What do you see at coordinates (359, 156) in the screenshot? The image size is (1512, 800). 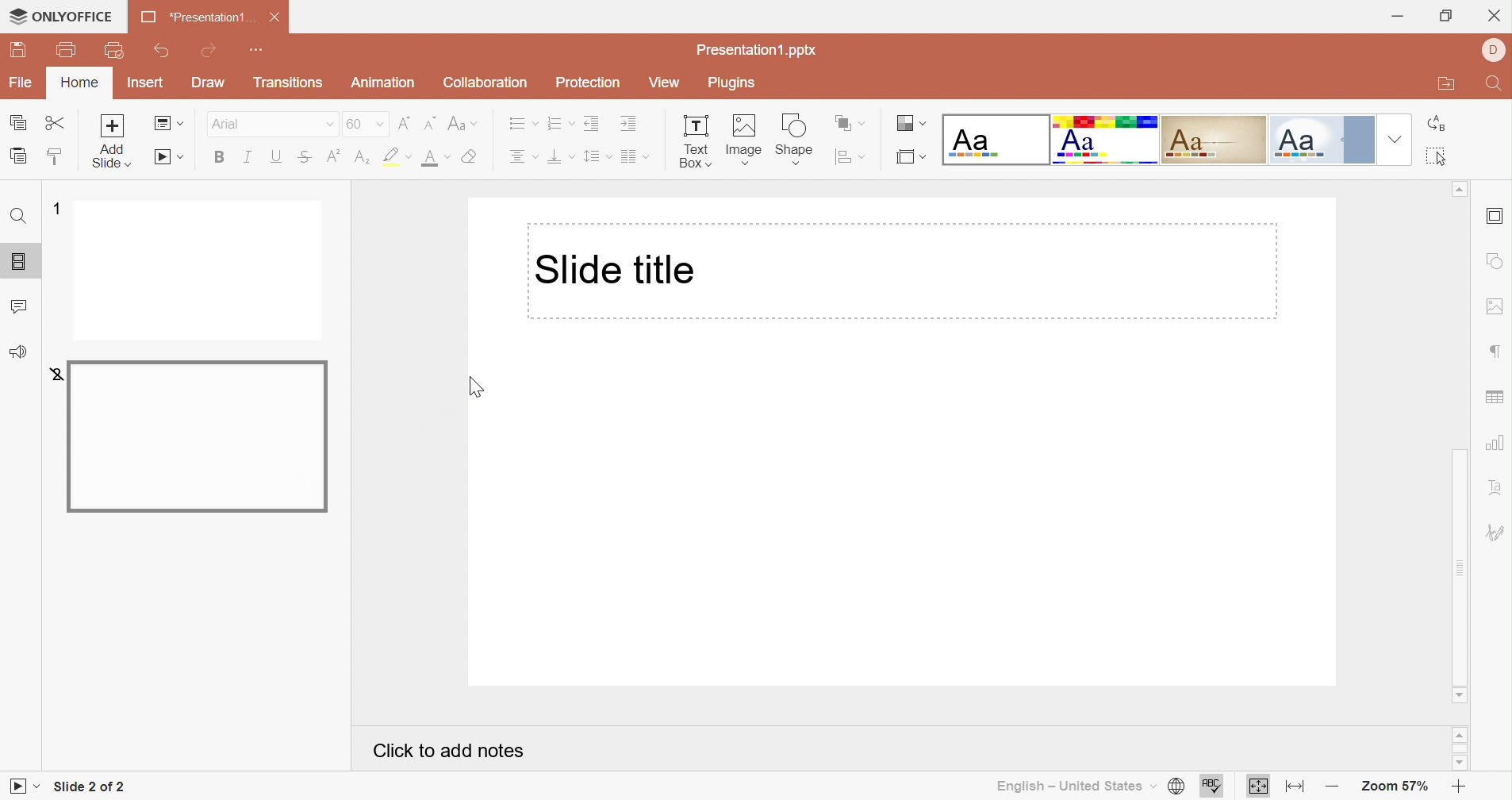 I see `Subscript` at bounding box center [359, 156].